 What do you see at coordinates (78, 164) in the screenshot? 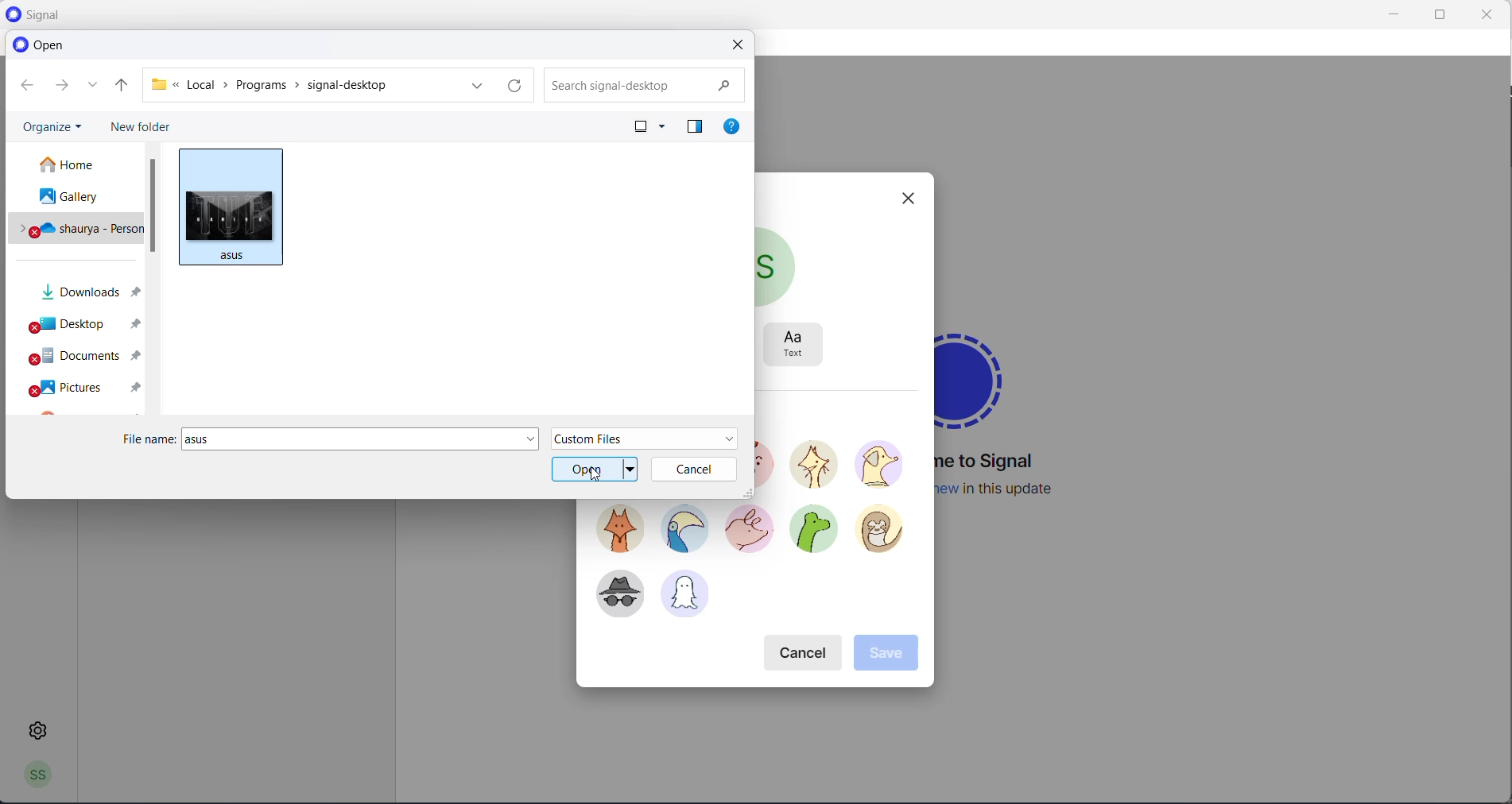
I see `home` at bounding box center [78, 164].